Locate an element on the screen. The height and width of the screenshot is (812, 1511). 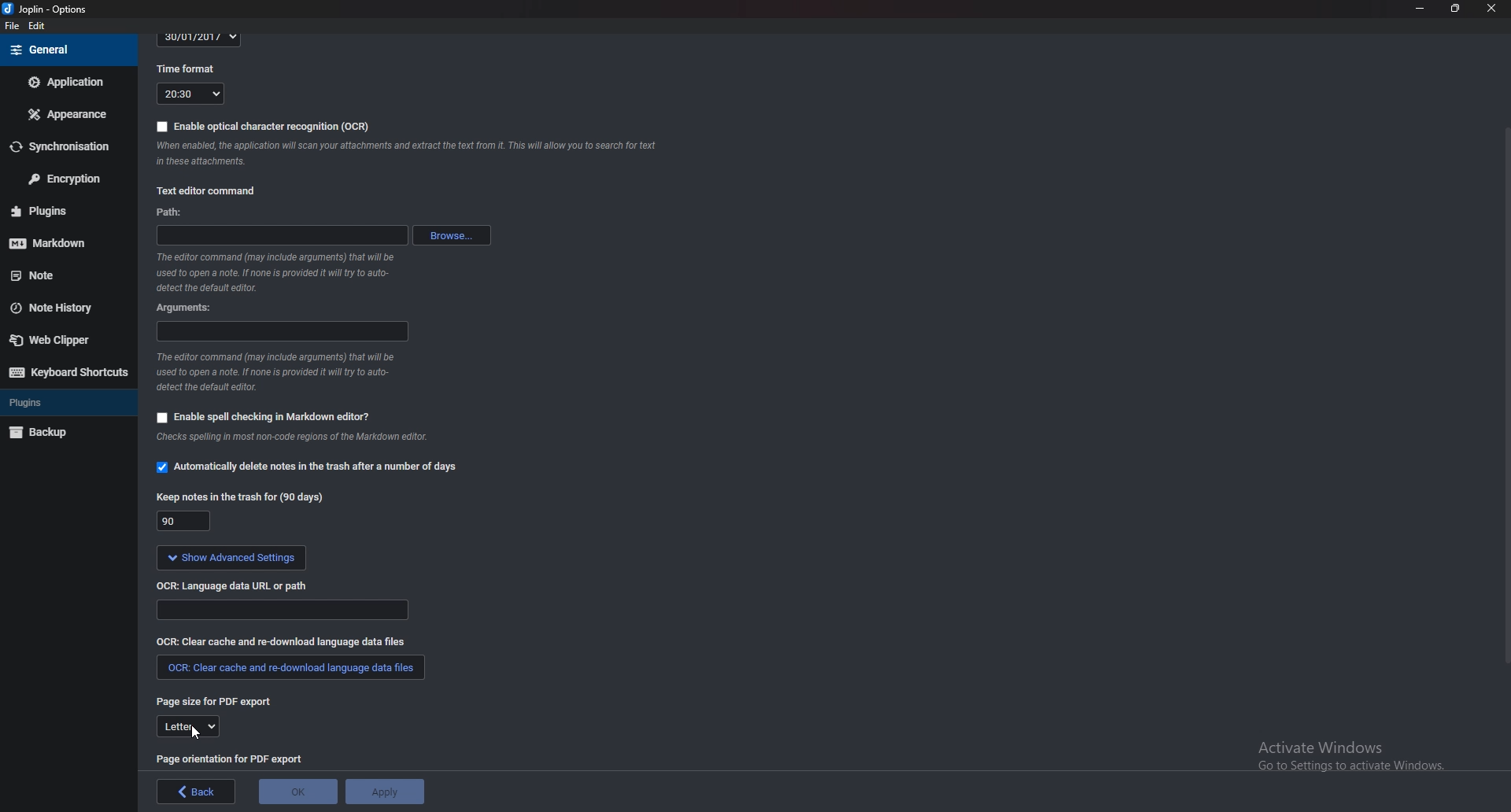
edit is located at coordinates (37, 27).